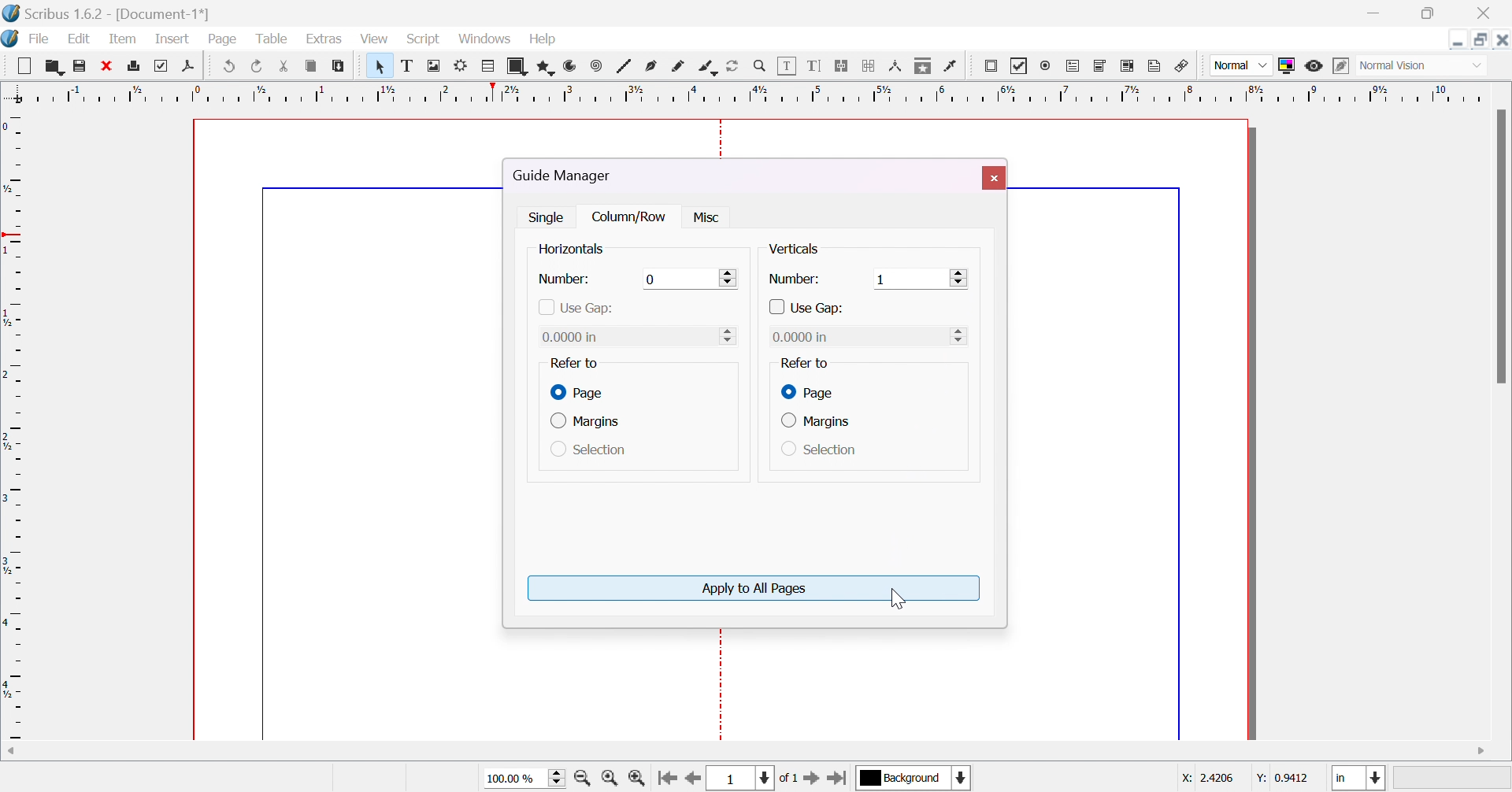  Describe the element at coordinates (902, 778) in the screenshot. I see `select current layer` at that location.